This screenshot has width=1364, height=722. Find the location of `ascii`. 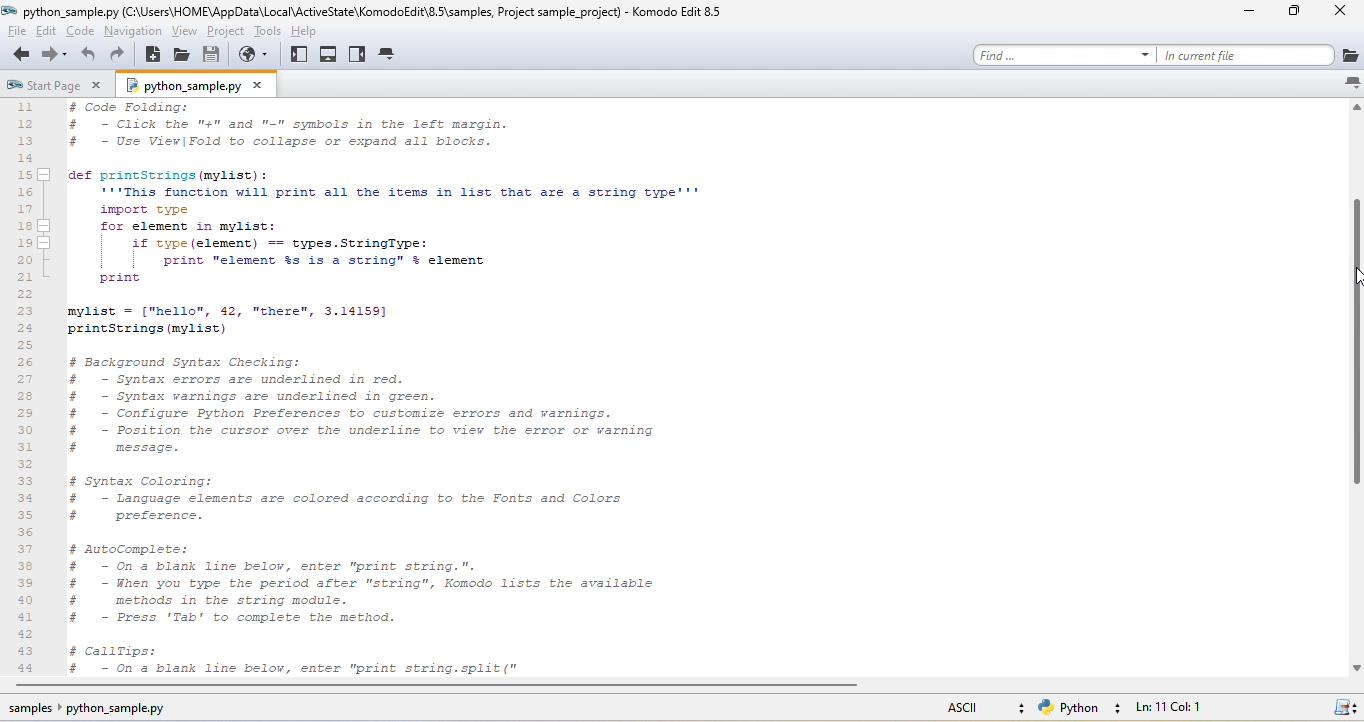

ascii is located at coordinates (981, 705).